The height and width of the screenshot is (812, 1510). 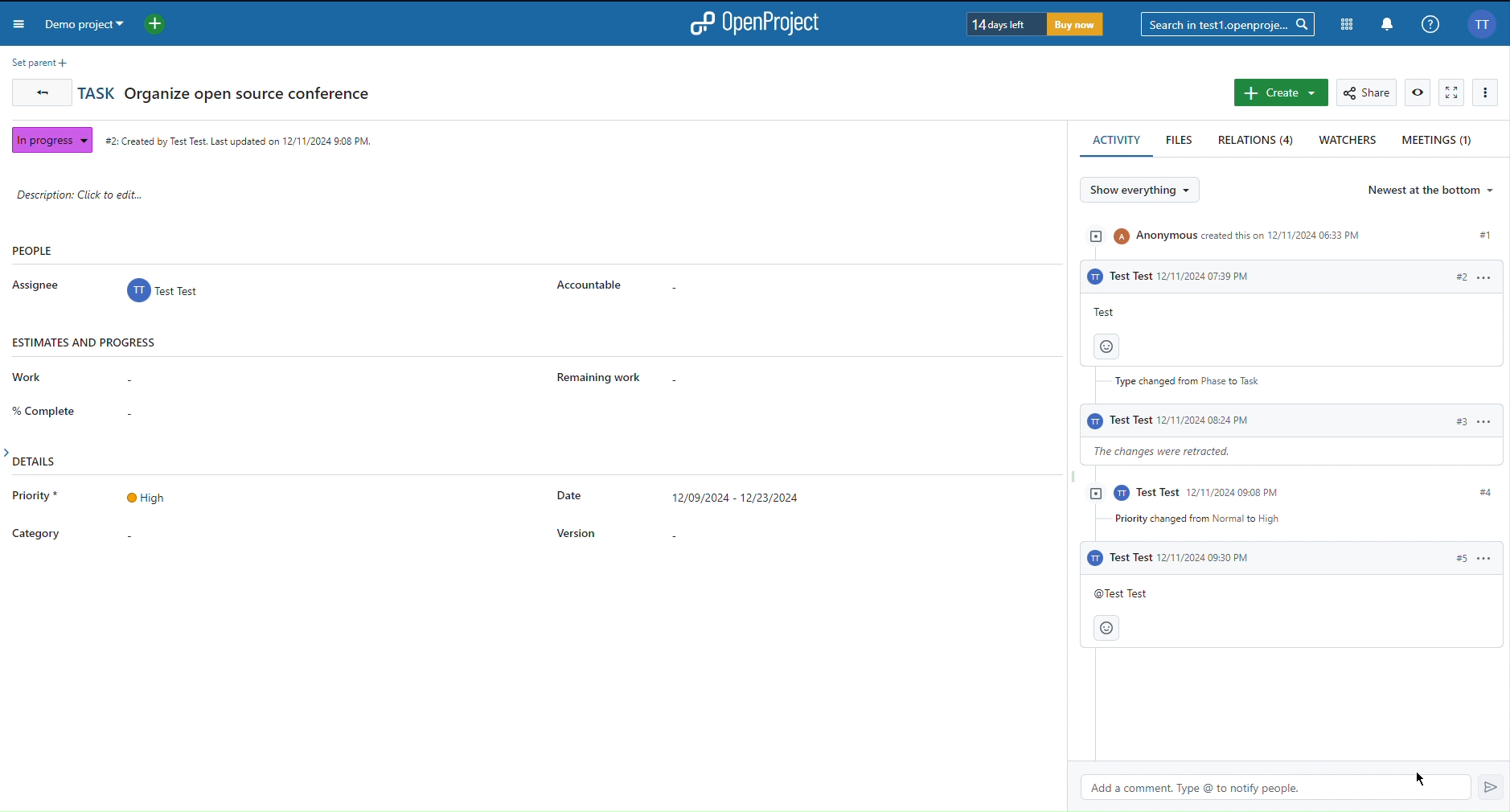 I want to click on Info, so click(x=1430, y=23).